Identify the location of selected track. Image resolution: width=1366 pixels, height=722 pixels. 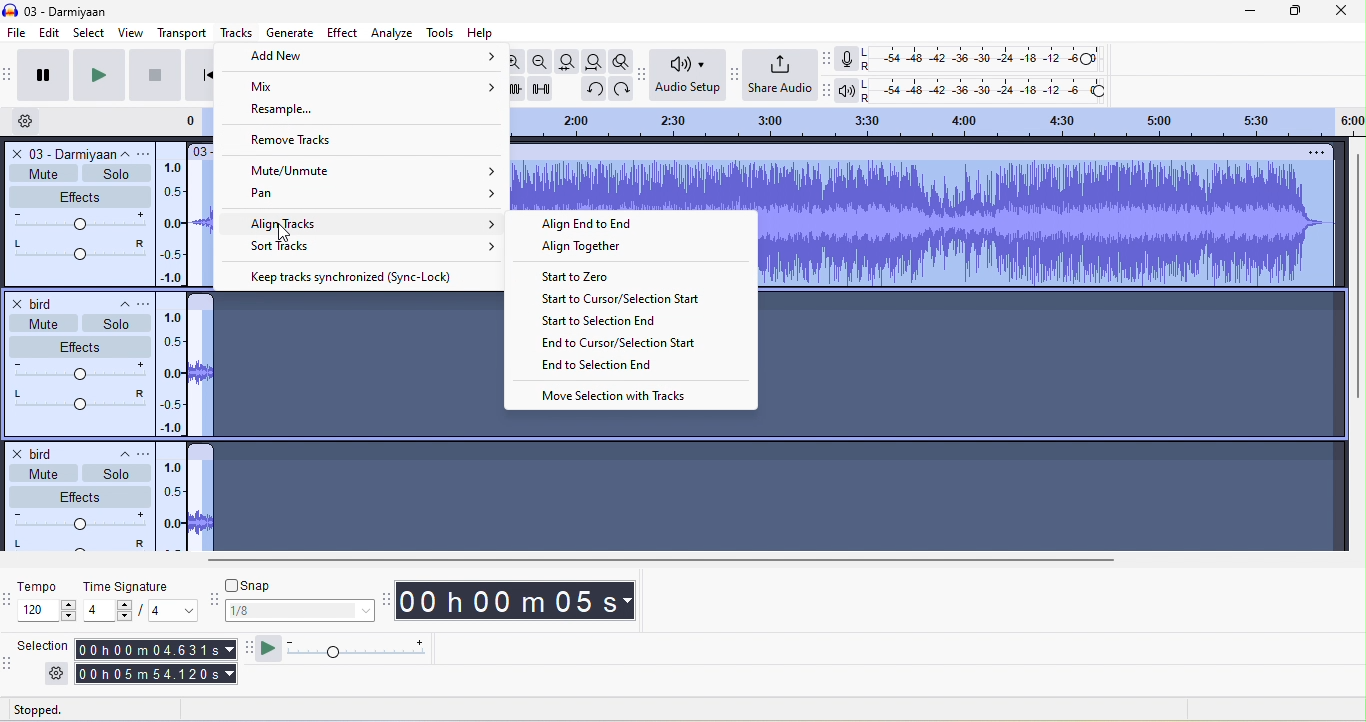
(345, 352).